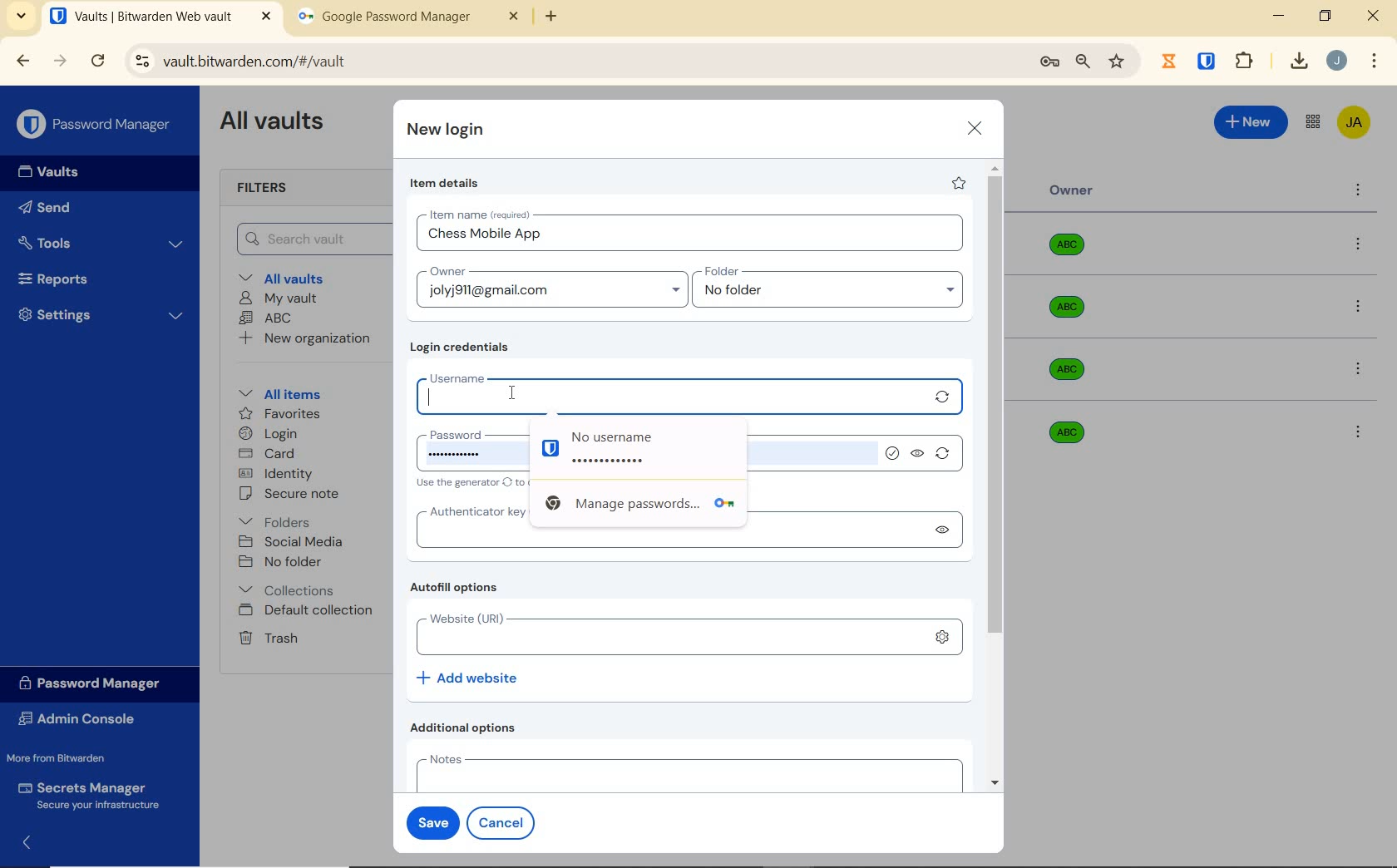 This screenshot has width=1397, height=868. What do you see at coordinates (822, 272) in the screenshot?
I see `Folder` at bounding box center [822, 272].